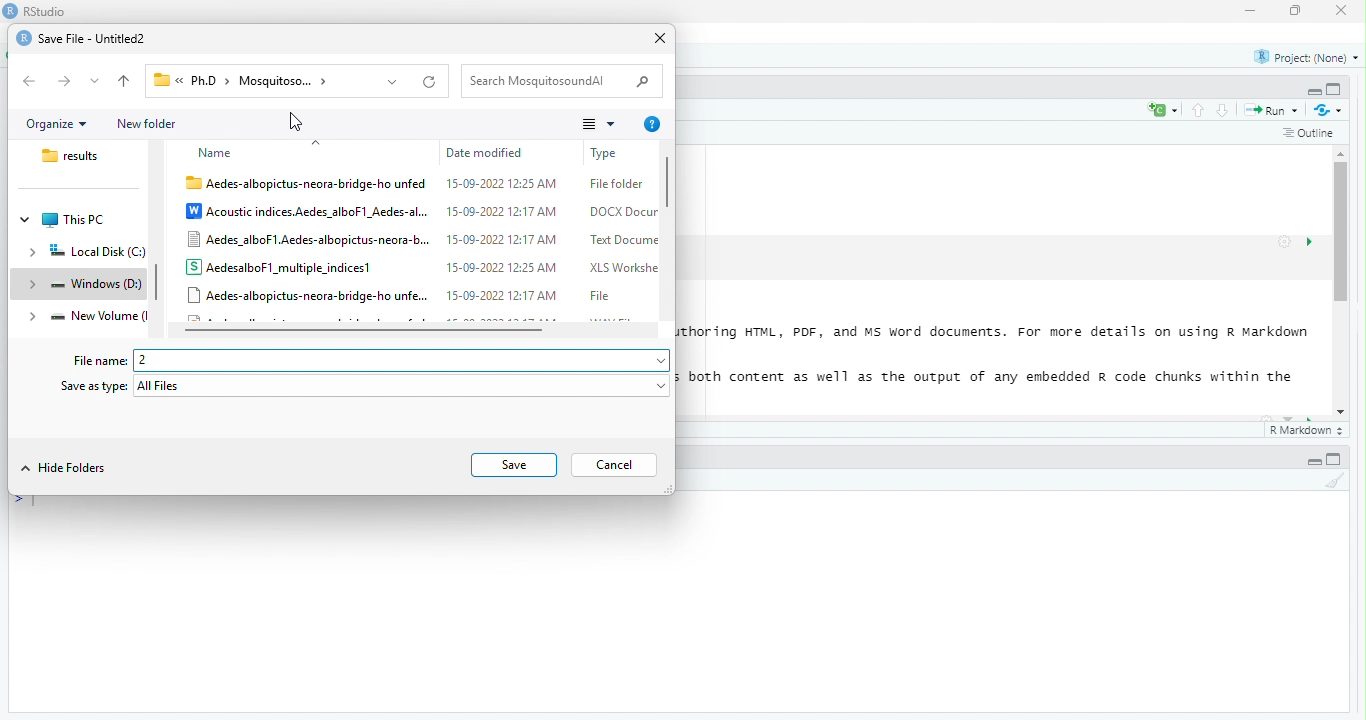 This screenshot has height=720, width=1366. I want to click on Cancel, so click(615, 465).